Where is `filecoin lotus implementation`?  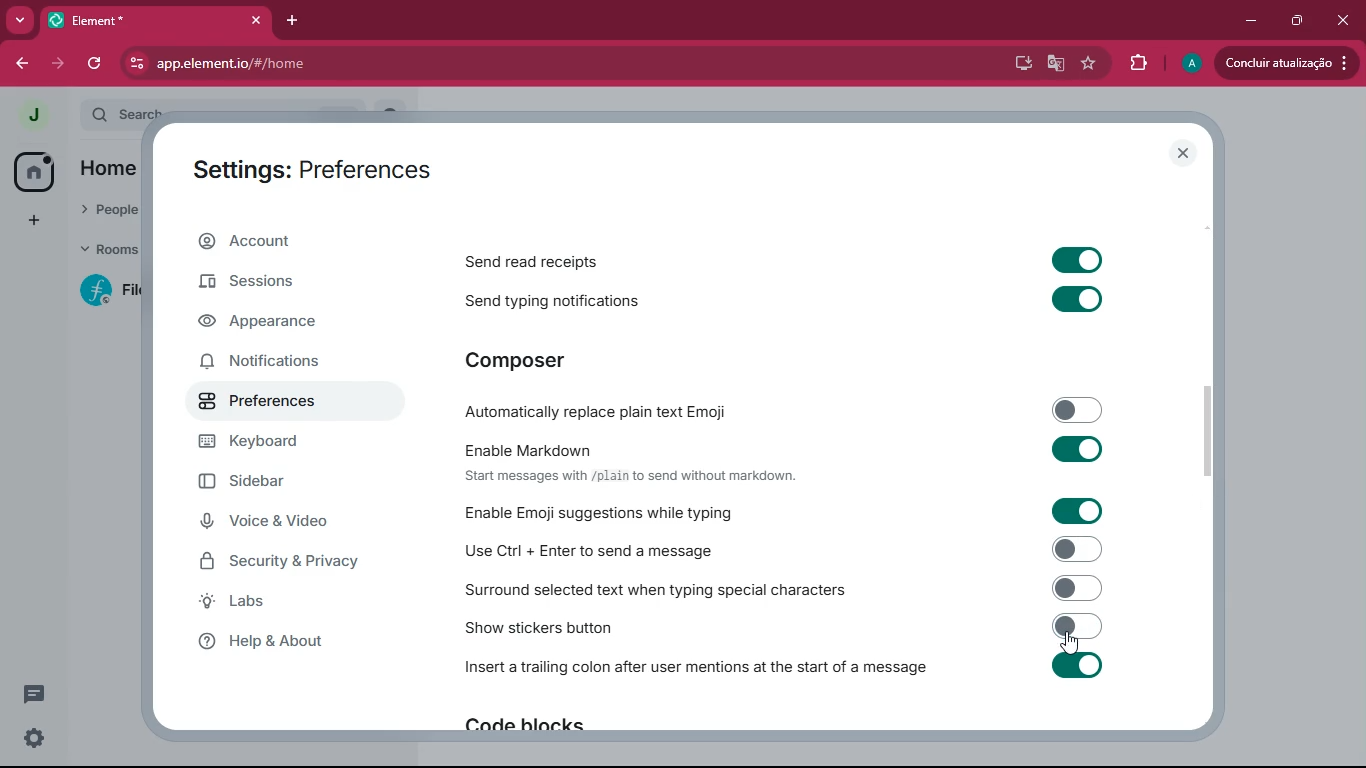
filecoin lotus implementation is located at coordinates (109, 290).